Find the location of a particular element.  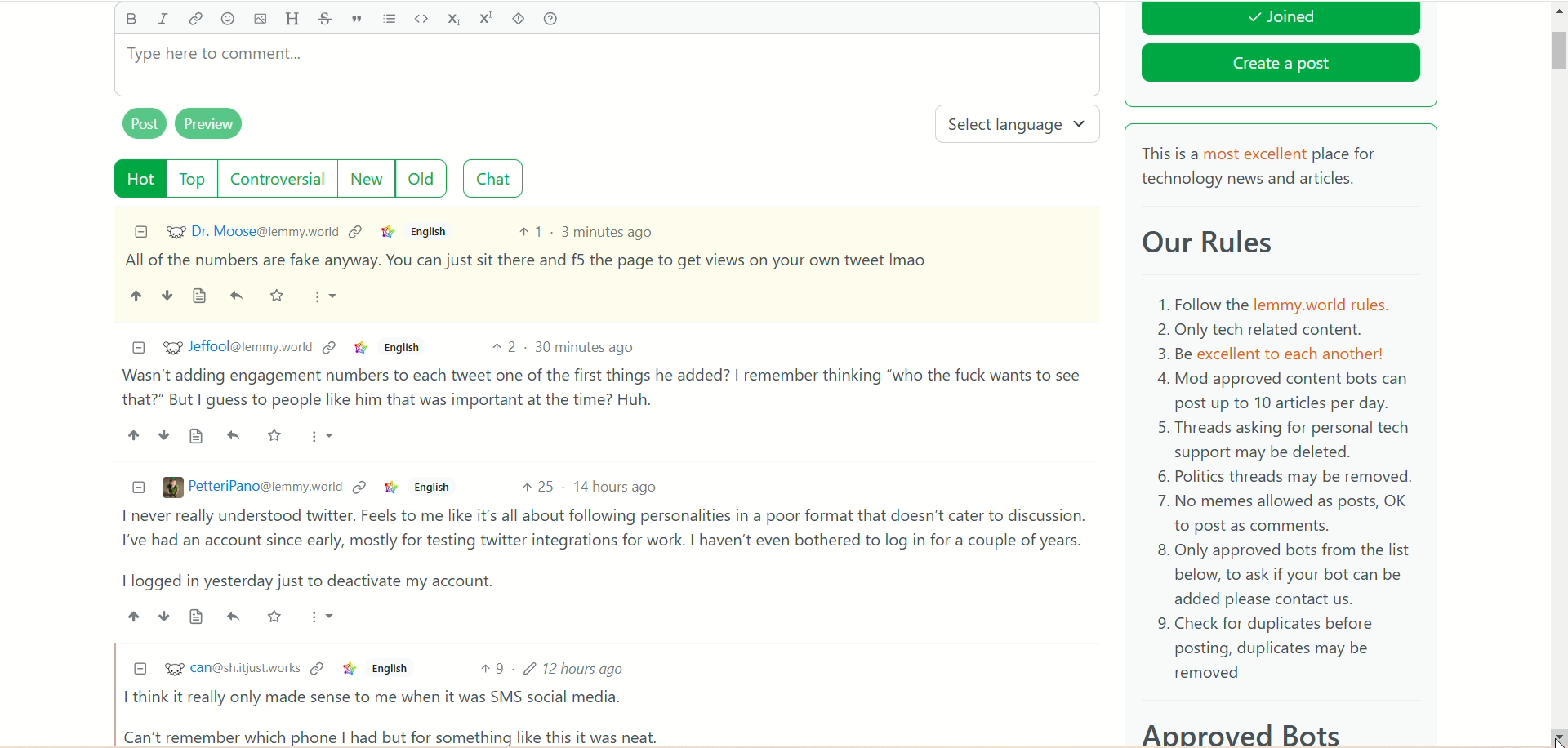

Upvote 2 is located at coordinates (506, 347).